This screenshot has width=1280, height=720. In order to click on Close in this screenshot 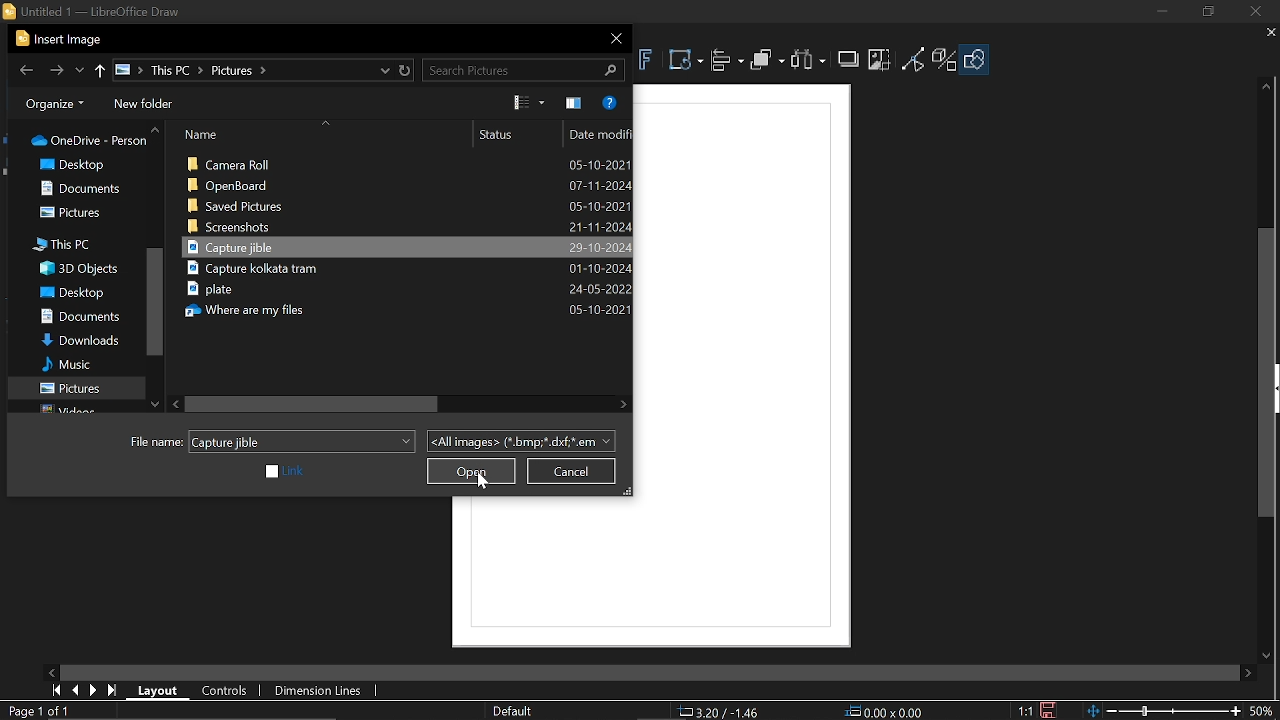, I will do `click(1253, 13)`.